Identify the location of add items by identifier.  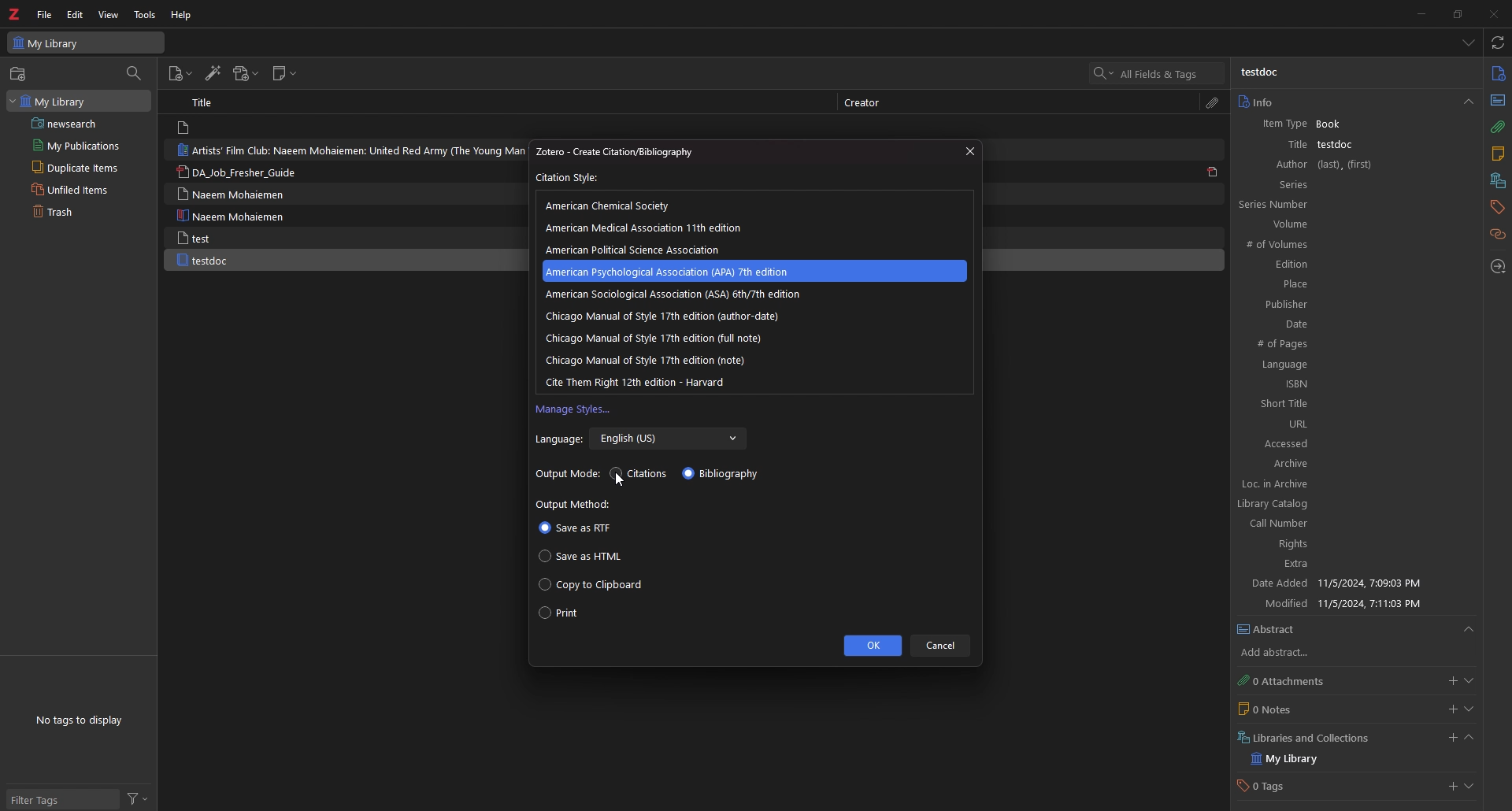
(212, 74).